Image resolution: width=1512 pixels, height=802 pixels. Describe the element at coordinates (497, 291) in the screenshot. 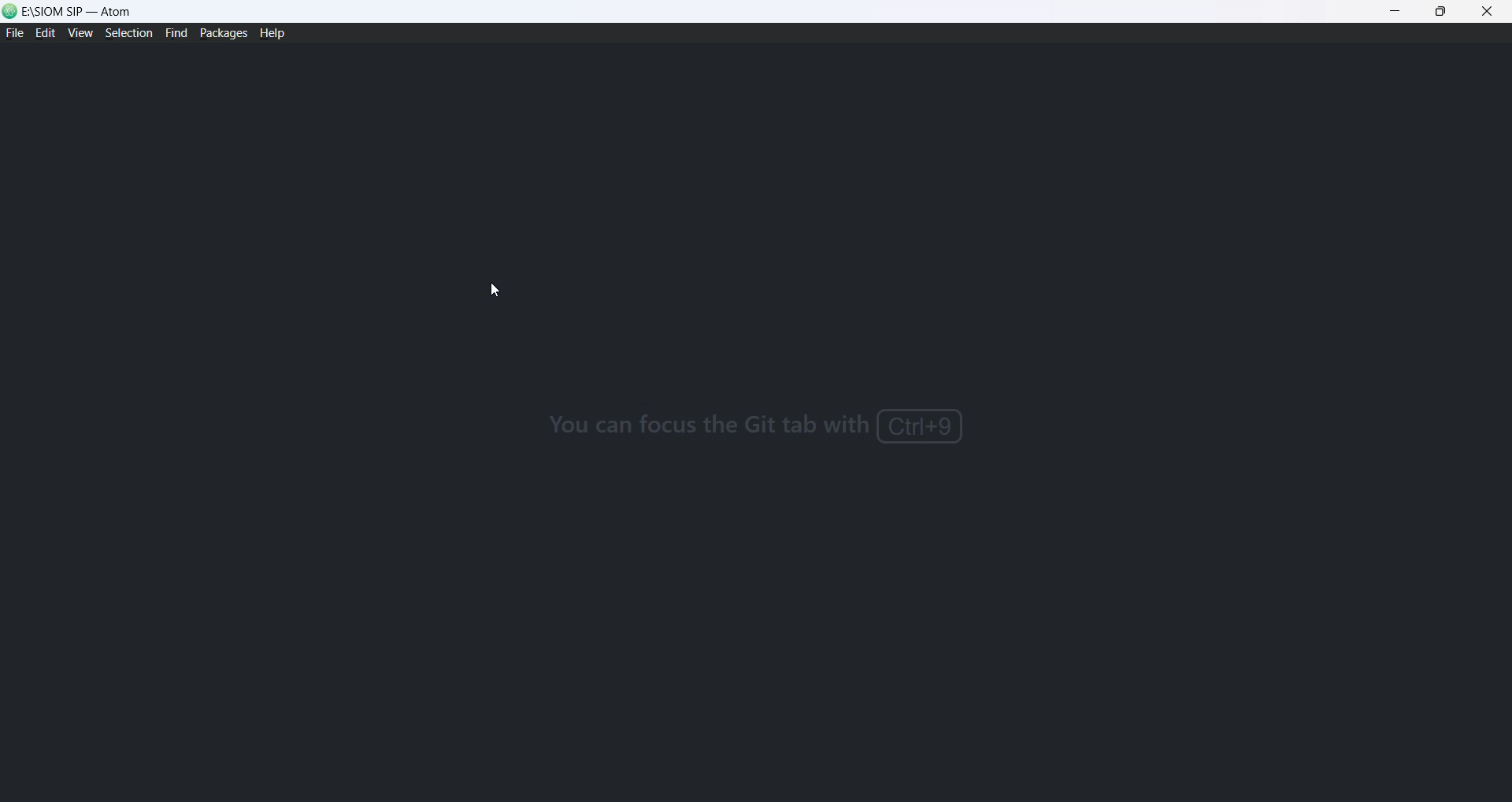

I see `cursor` at that location.